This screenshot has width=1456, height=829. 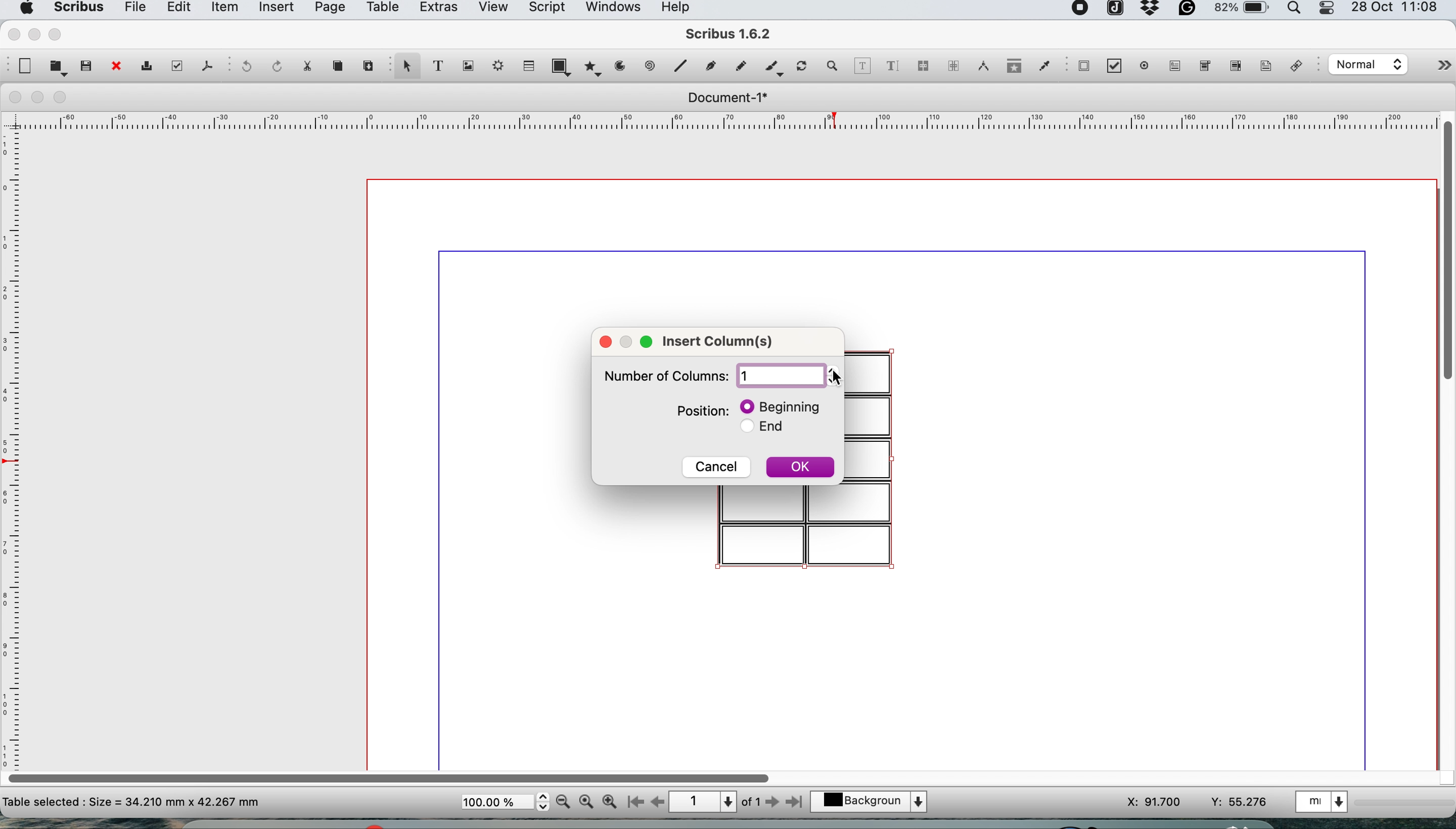 What do you see at coordinates (760, 429) in the screenshot?
I see `end` at bounding box center [760, 429].